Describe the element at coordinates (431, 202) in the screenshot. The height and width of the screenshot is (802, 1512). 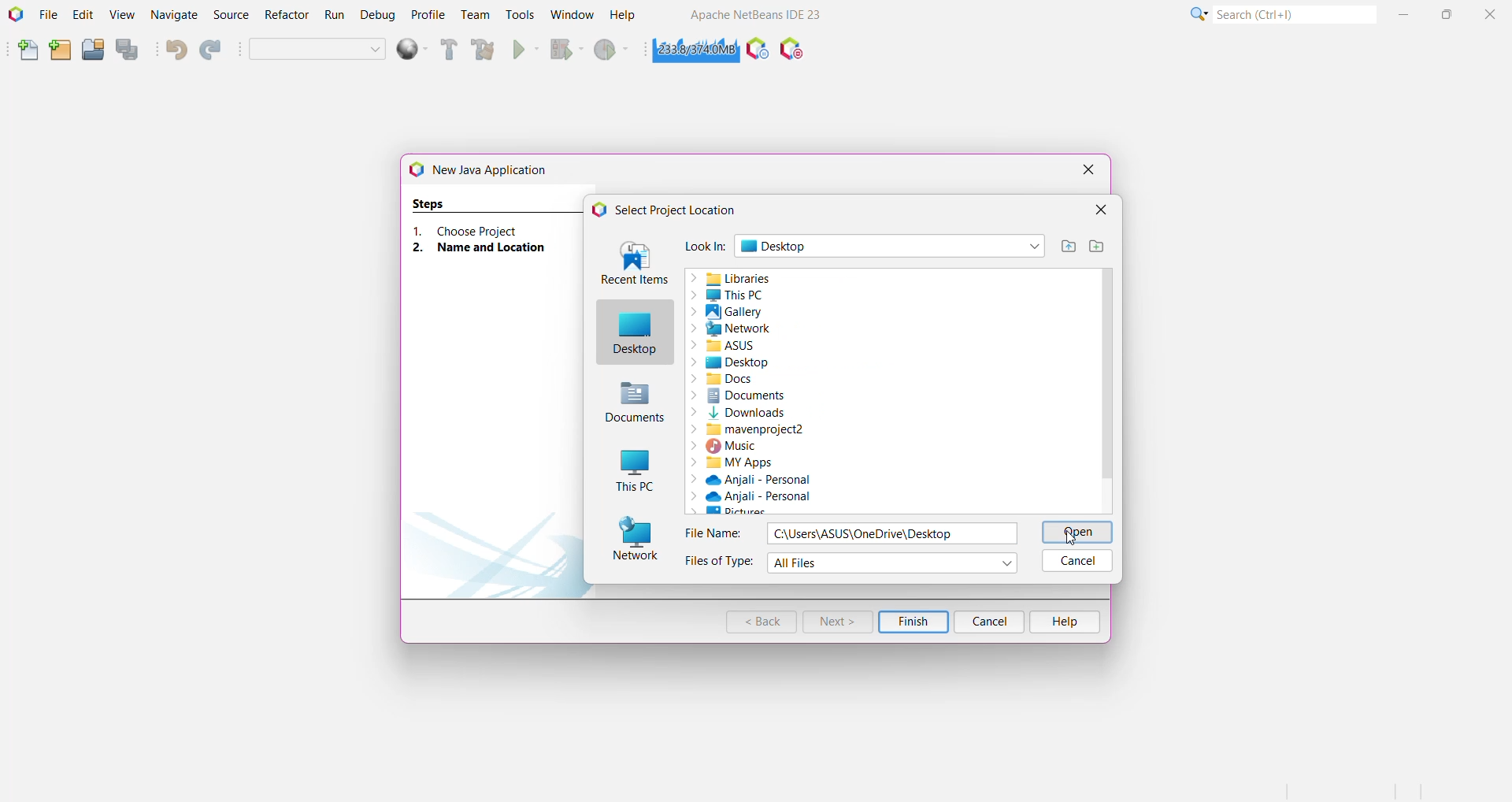
I see `Steps` at that location.